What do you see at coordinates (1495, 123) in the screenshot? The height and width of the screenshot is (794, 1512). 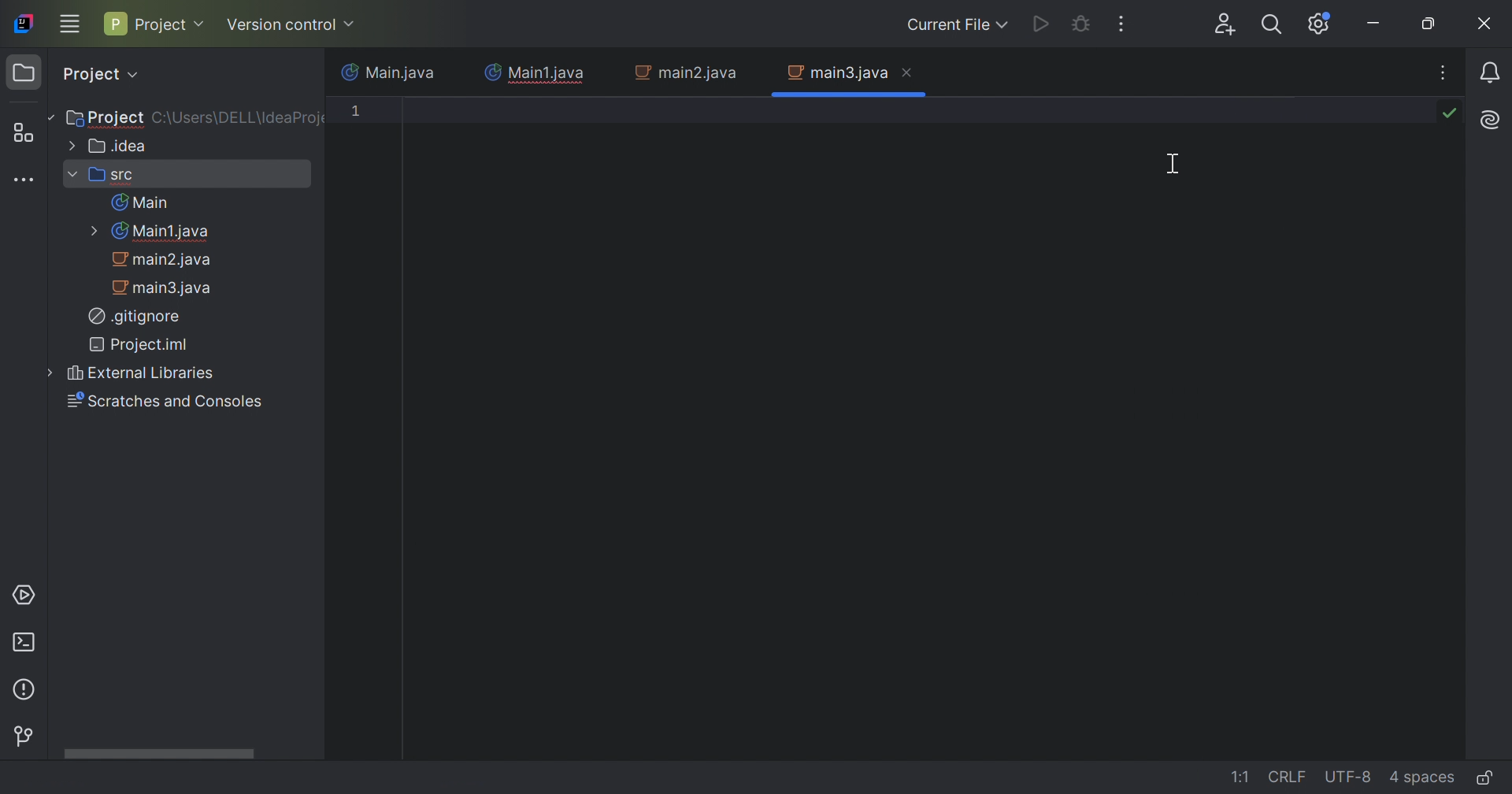 I see `Logo` at bounding box center [1495, 123].